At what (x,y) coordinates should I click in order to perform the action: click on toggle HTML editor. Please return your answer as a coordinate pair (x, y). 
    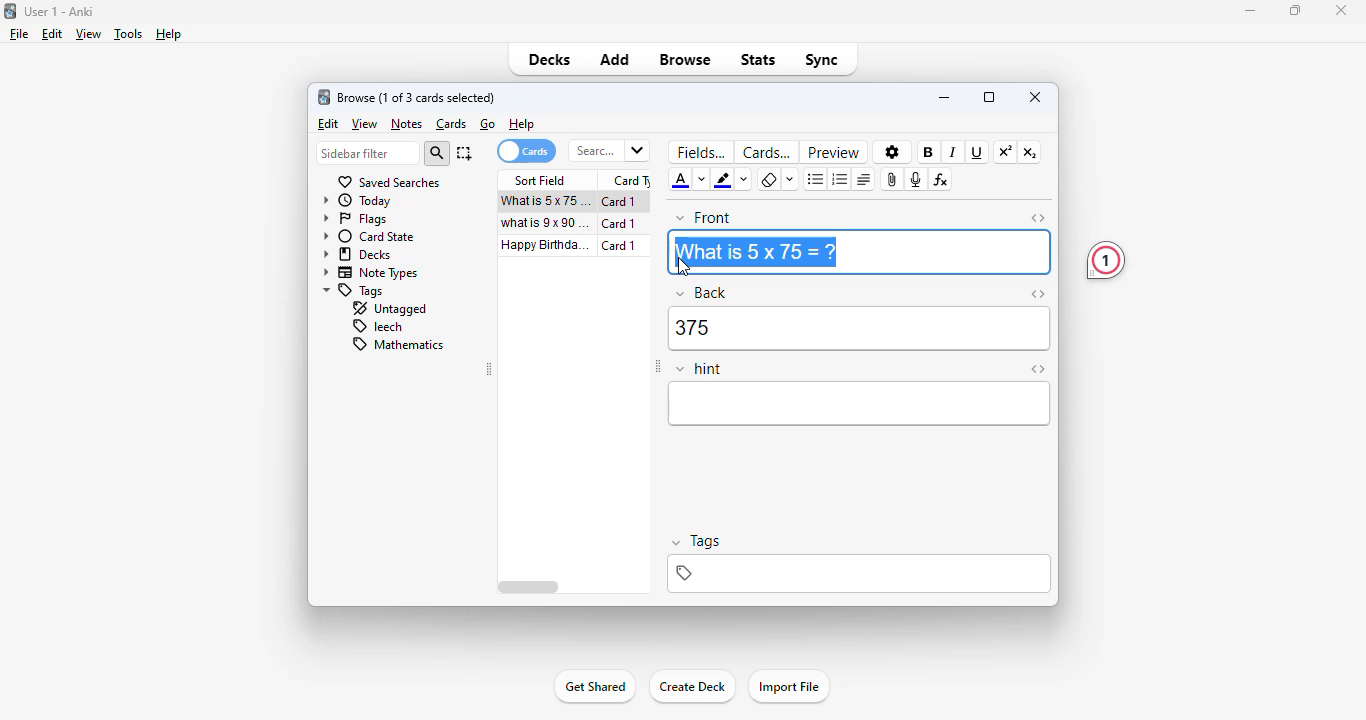
    Looking at the image, I should click on (1038, 218).